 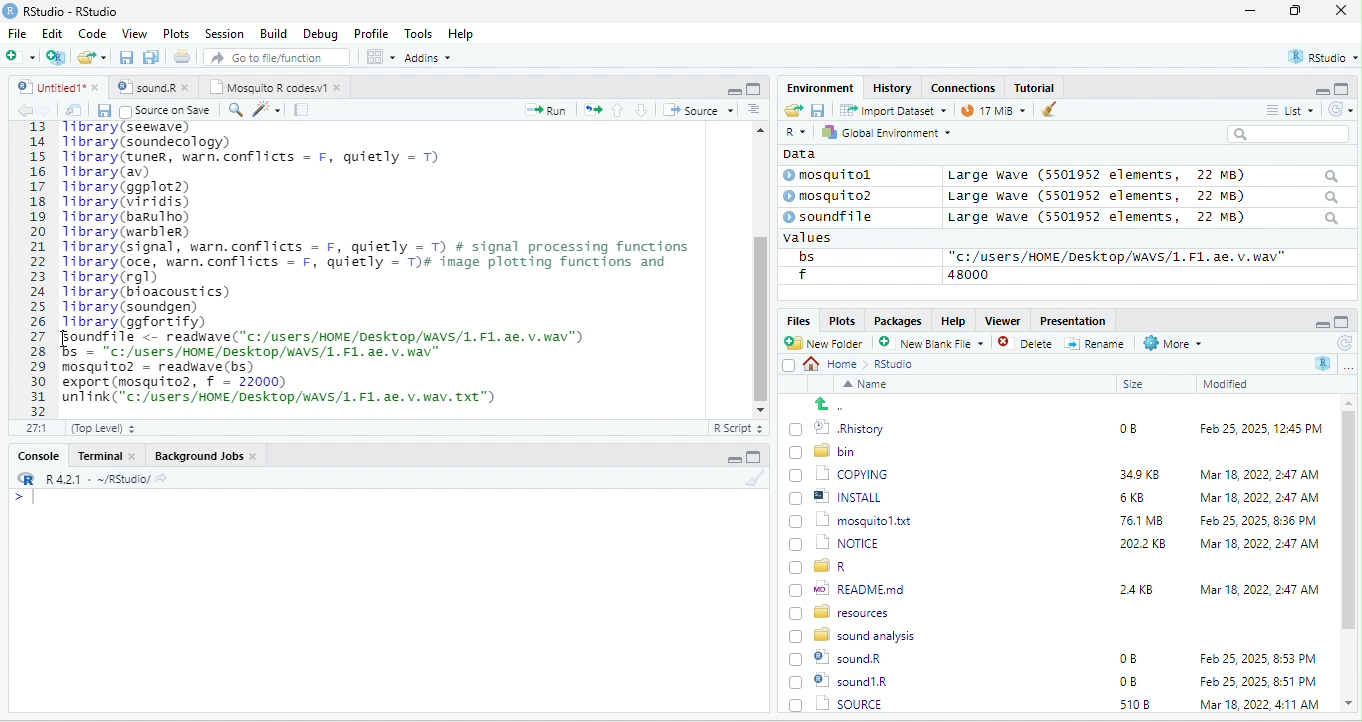 I want to click on ” Go to file/function, so click(x=278, y=59).